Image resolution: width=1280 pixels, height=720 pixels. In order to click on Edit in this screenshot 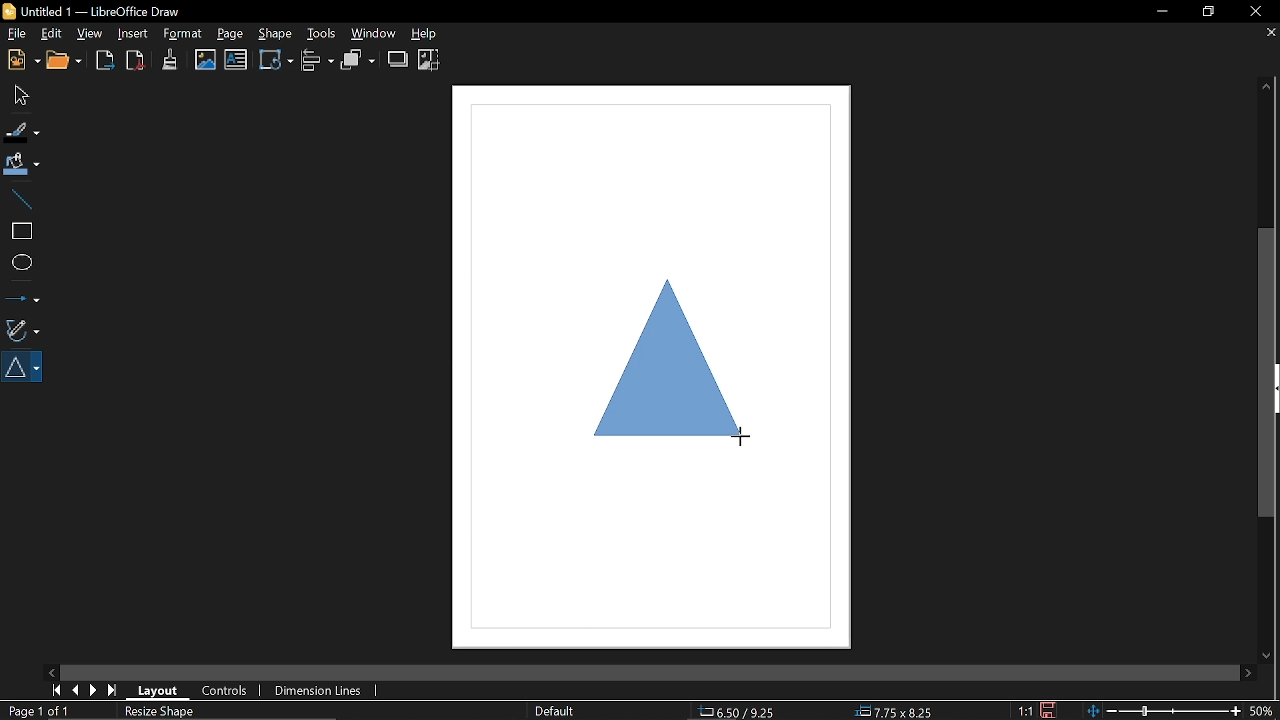, I will do `click(51, 35)`.